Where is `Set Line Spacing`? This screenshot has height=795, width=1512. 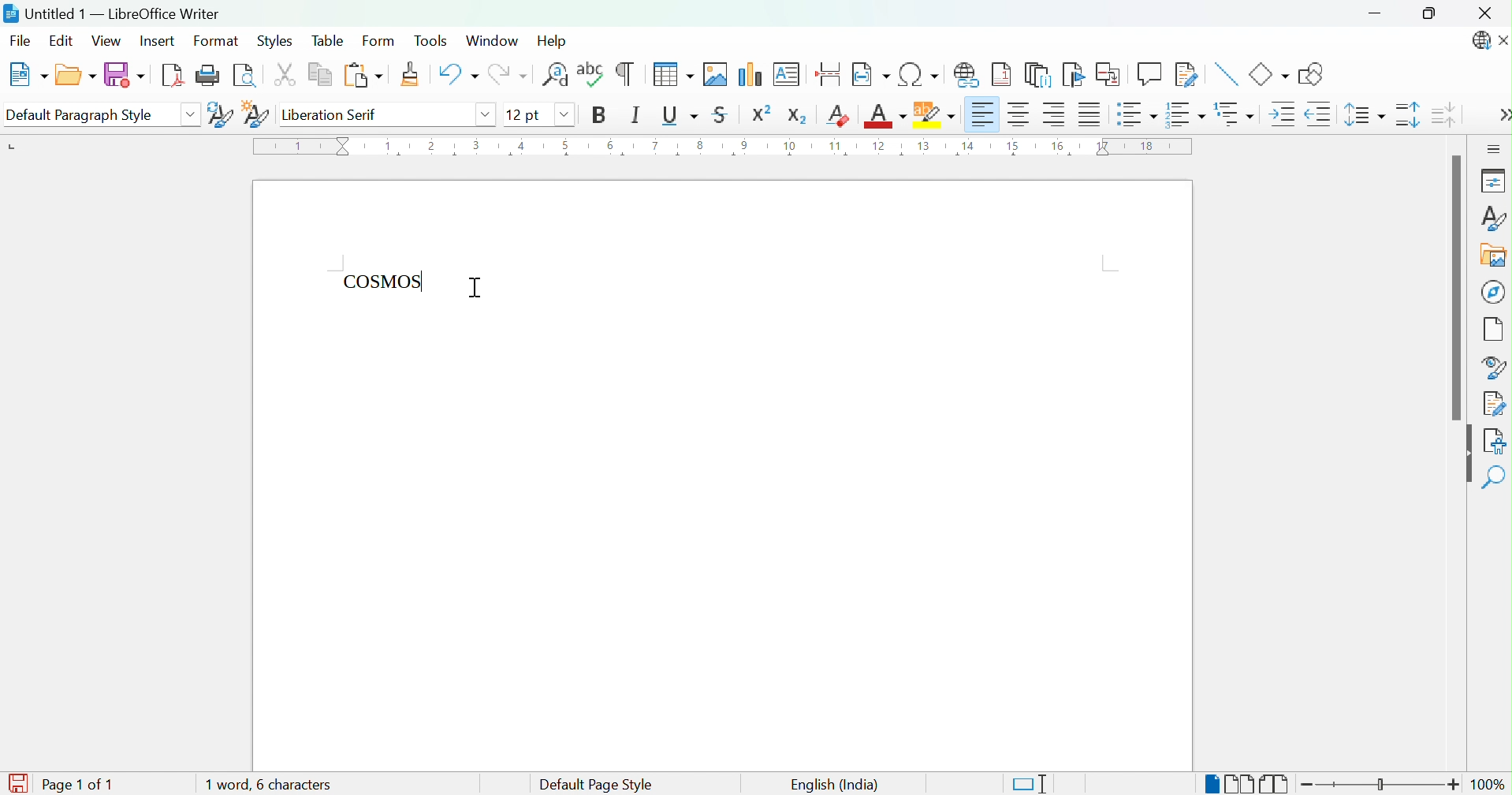
Set Line Spacing is located at coordinates (1364, 117).